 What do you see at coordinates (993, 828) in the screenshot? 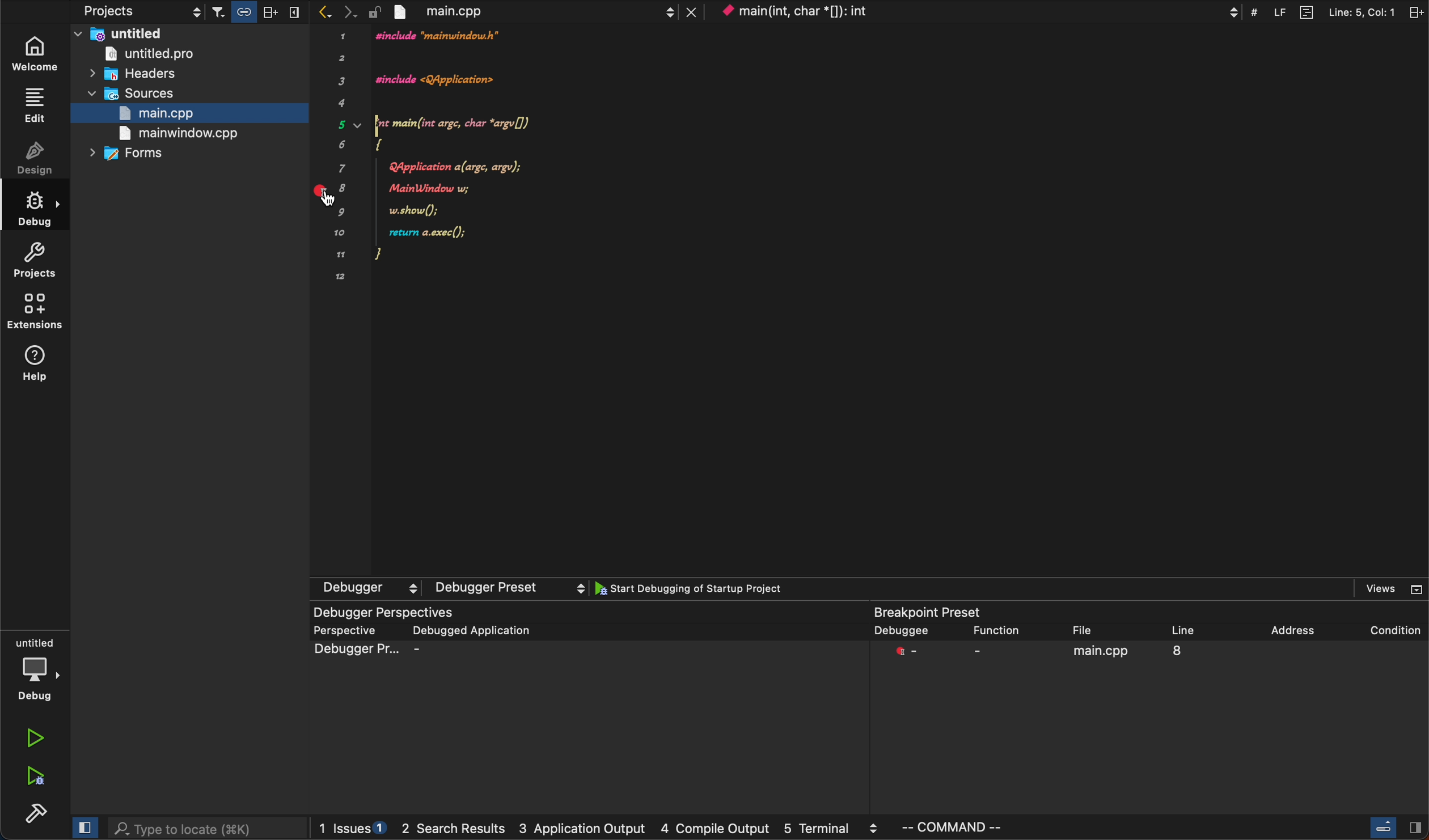
I see `command` at bounding box center [993, 828].